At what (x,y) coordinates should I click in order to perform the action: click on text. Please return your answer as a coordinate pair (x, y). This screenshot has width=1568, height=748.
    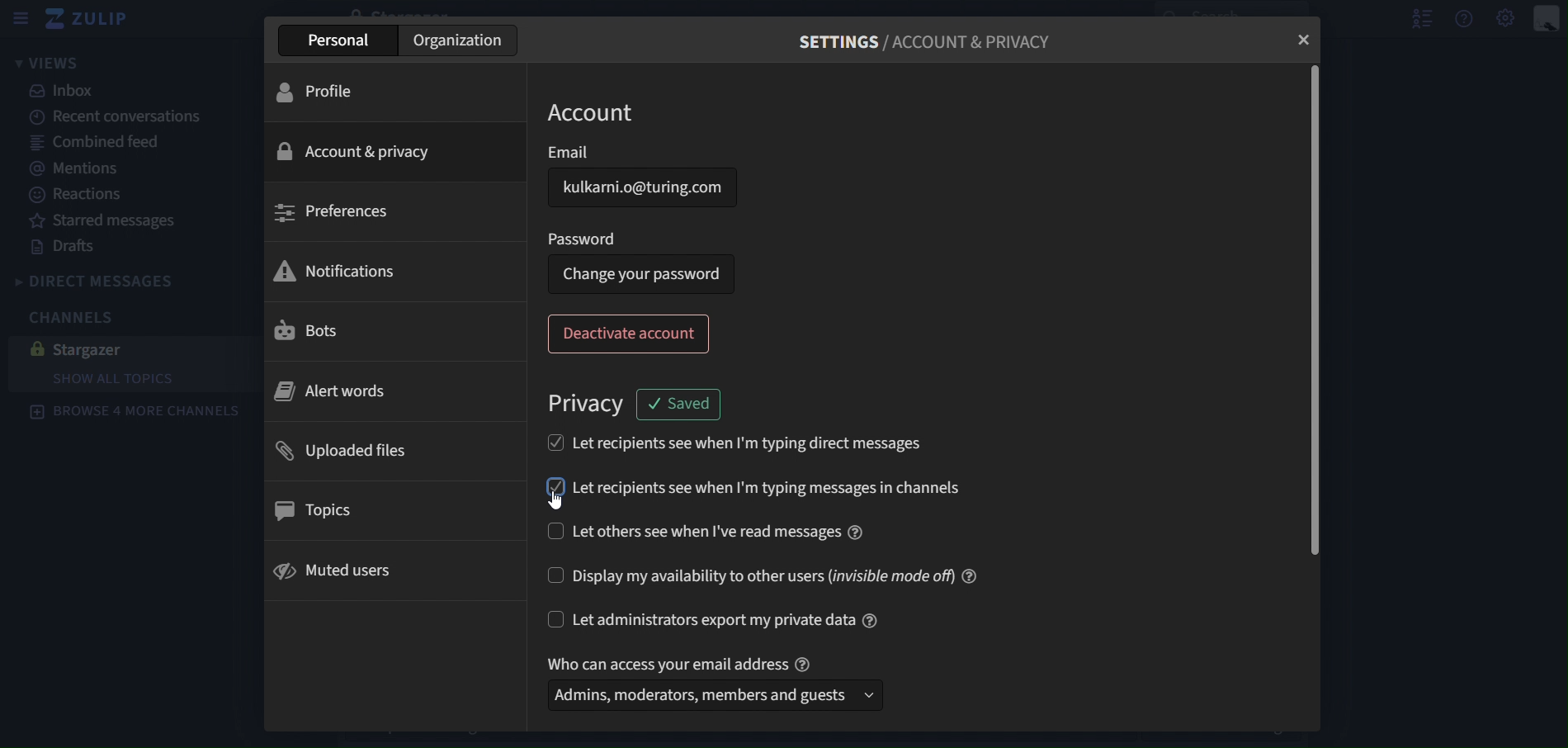
    Looking at the image, I should click on (684, 662).